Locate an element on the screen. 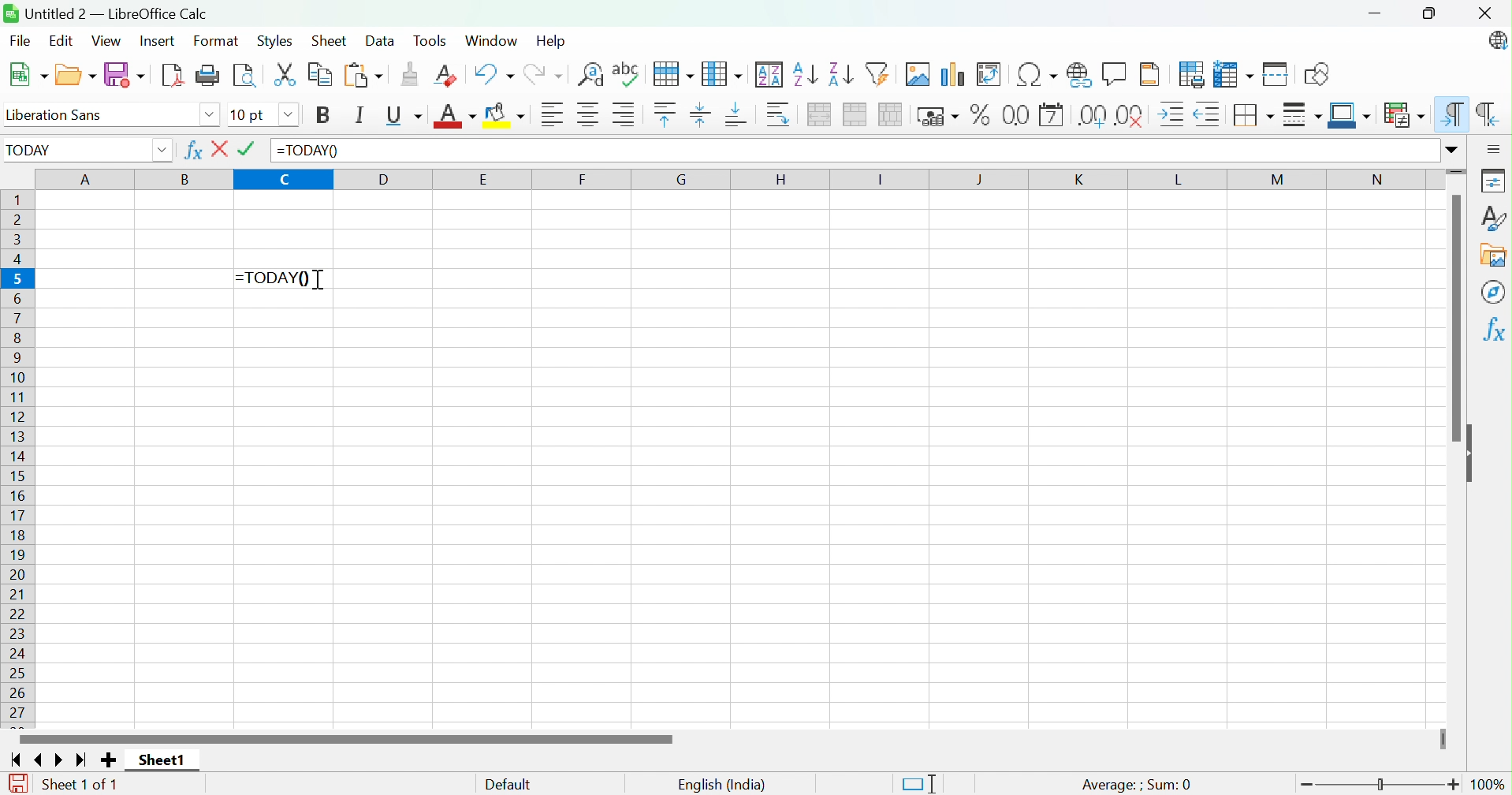 This screenshot has width=1512, height=795. Data is located at coordinates (380, 41).